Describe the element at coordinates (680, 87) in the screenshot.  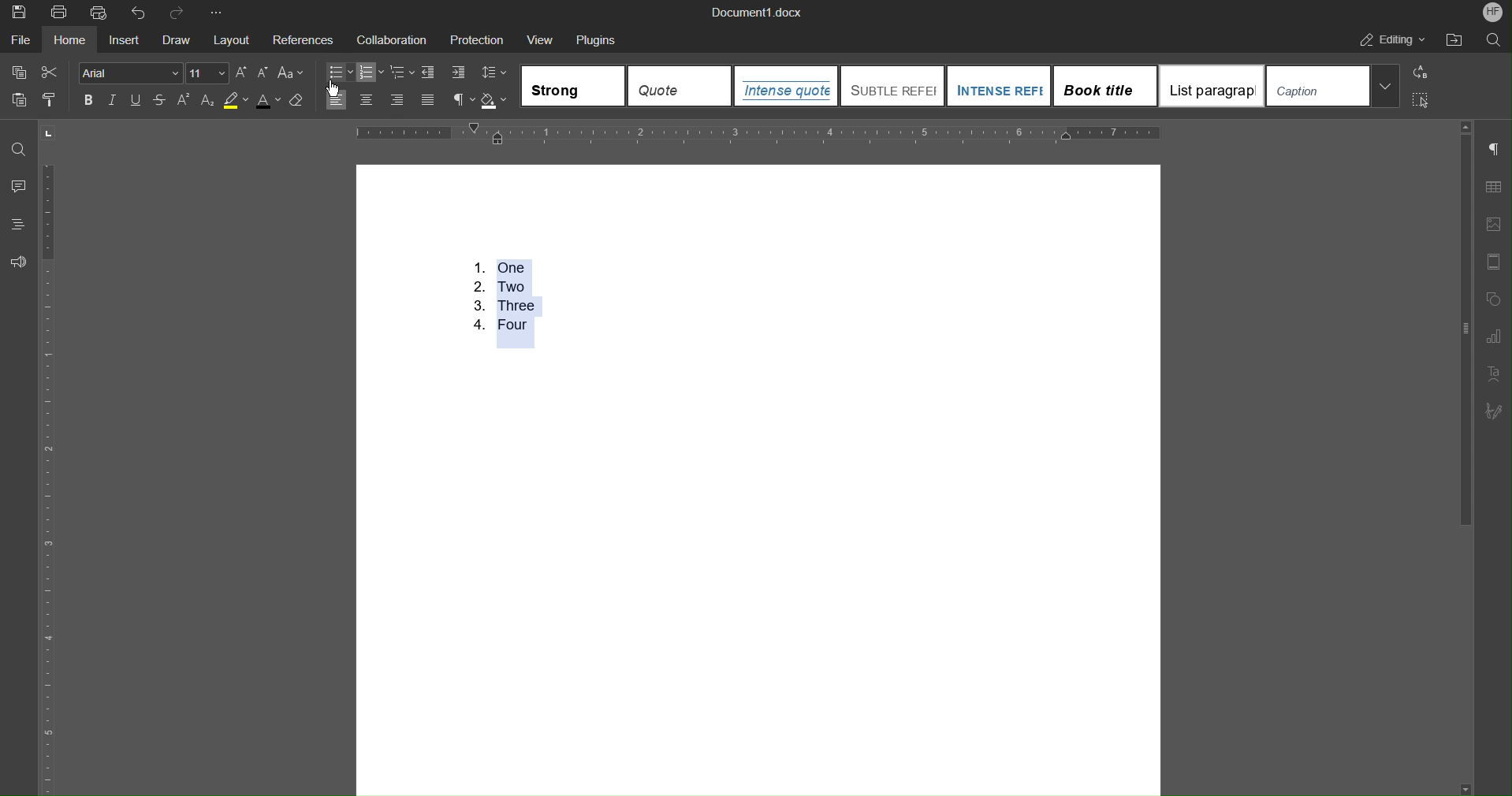
I see `Quote` at that location.